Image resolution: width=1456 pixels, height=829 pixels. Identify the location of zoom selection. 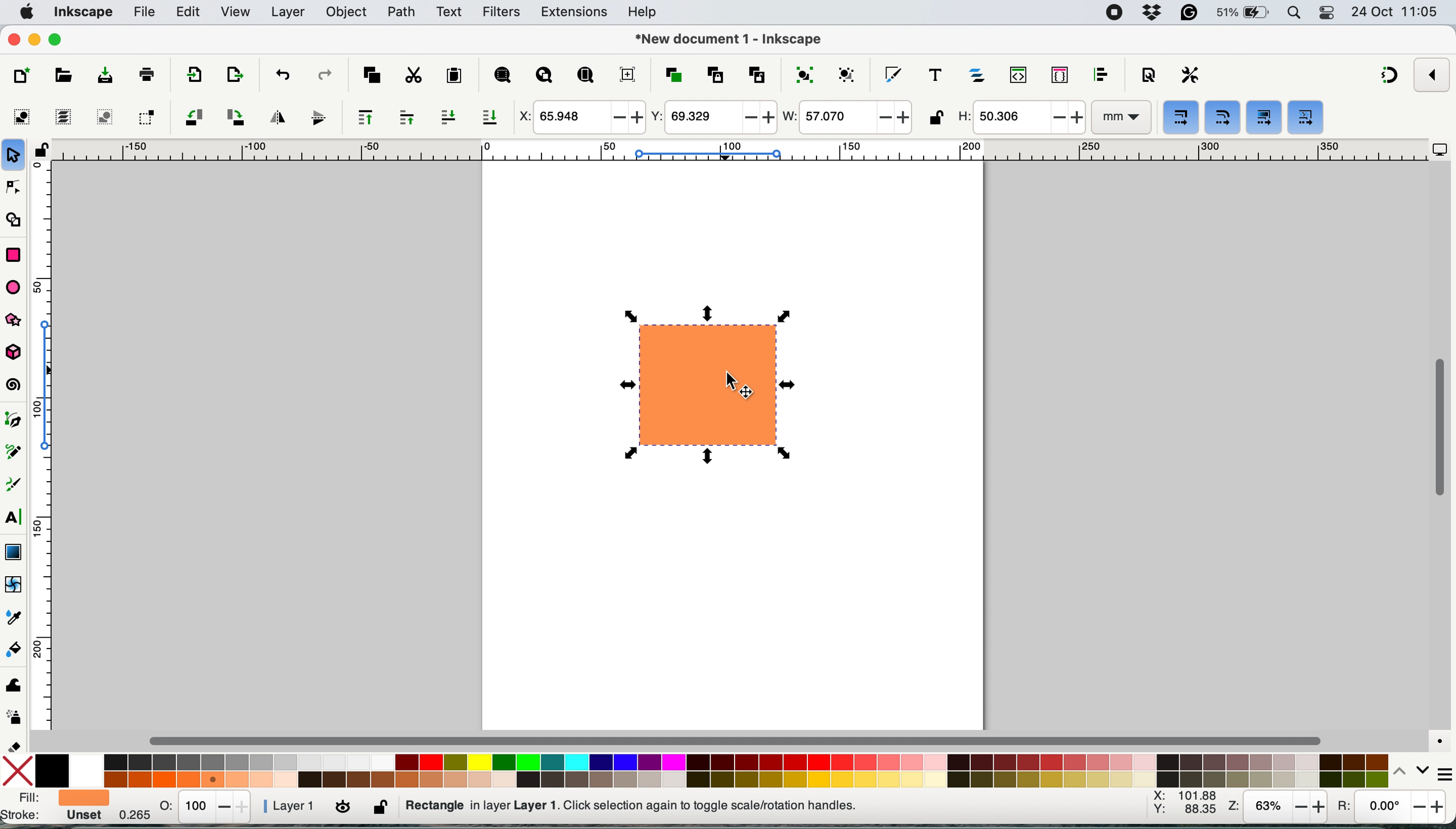
(501, 76).